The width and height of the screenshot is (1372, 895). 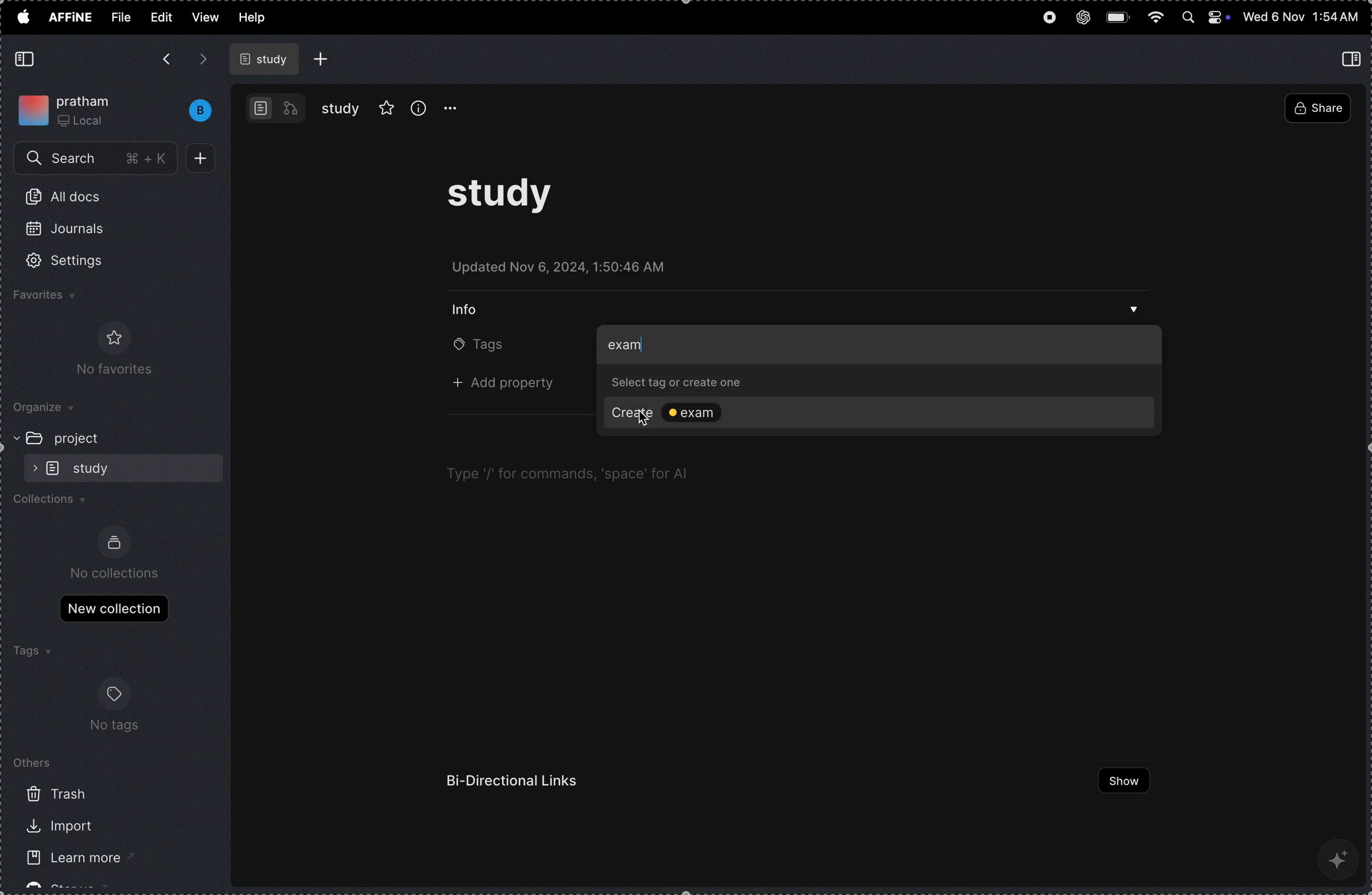 What do you see at coordinates (117, 728) in the screenshot?
I see `no tags` at bounding box center [117, 728].